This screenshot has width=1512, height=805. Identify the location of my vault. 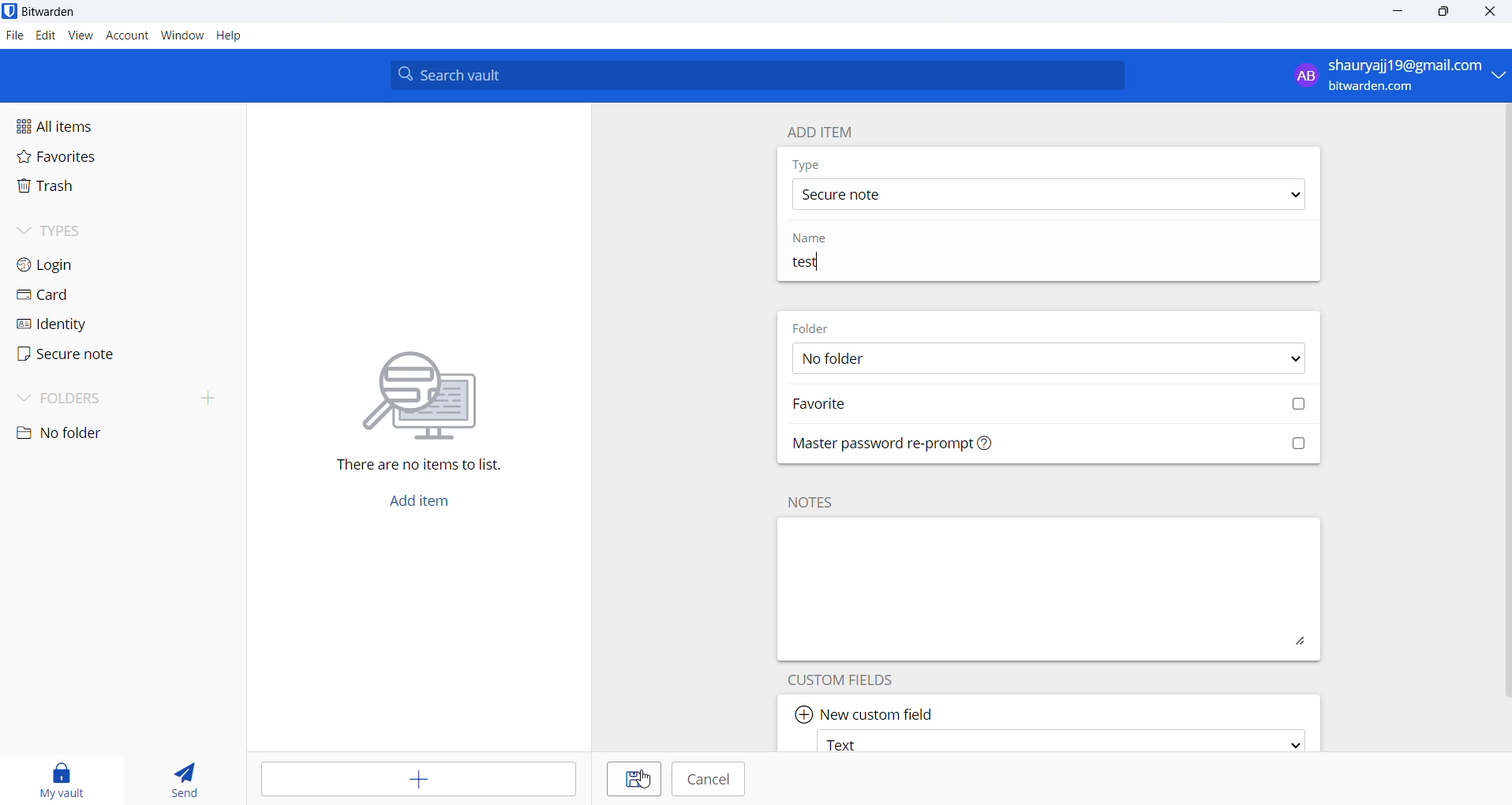
(68, 777).